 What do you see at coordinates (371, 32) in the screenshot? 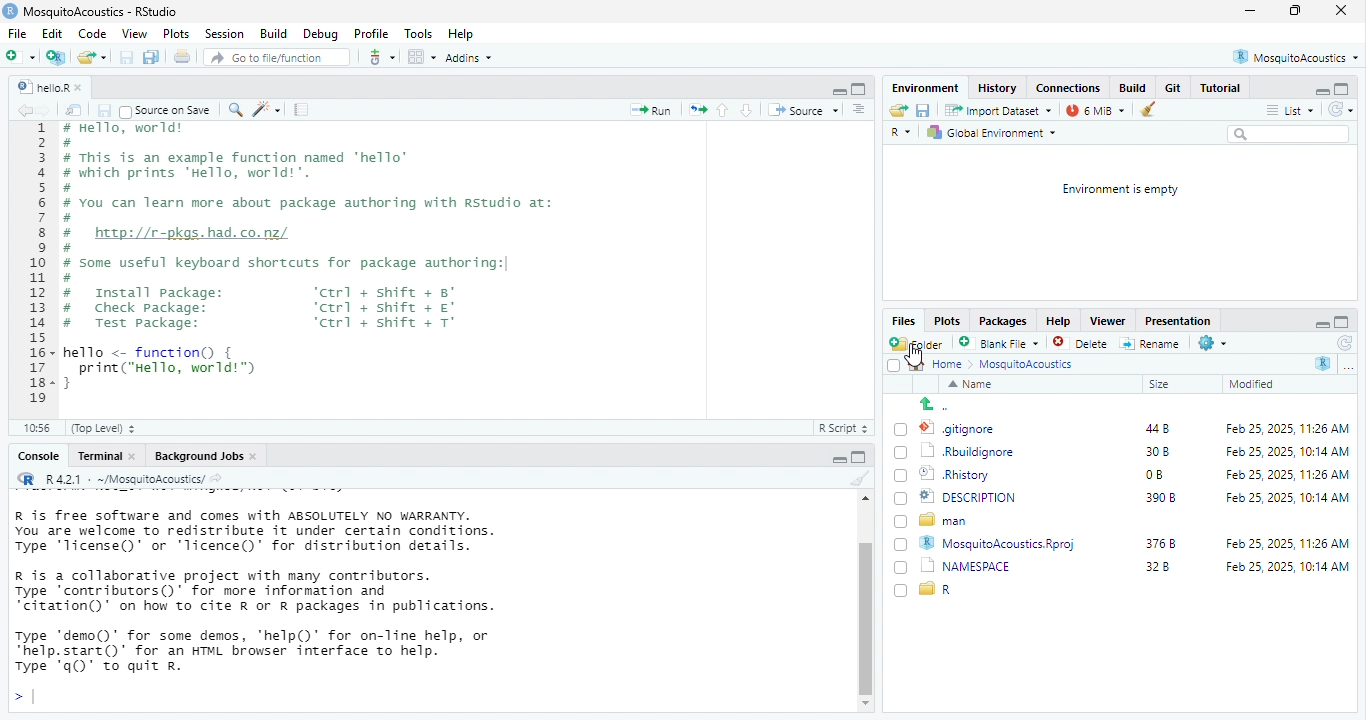
I see `Profile` at bounding box center [371, 32].